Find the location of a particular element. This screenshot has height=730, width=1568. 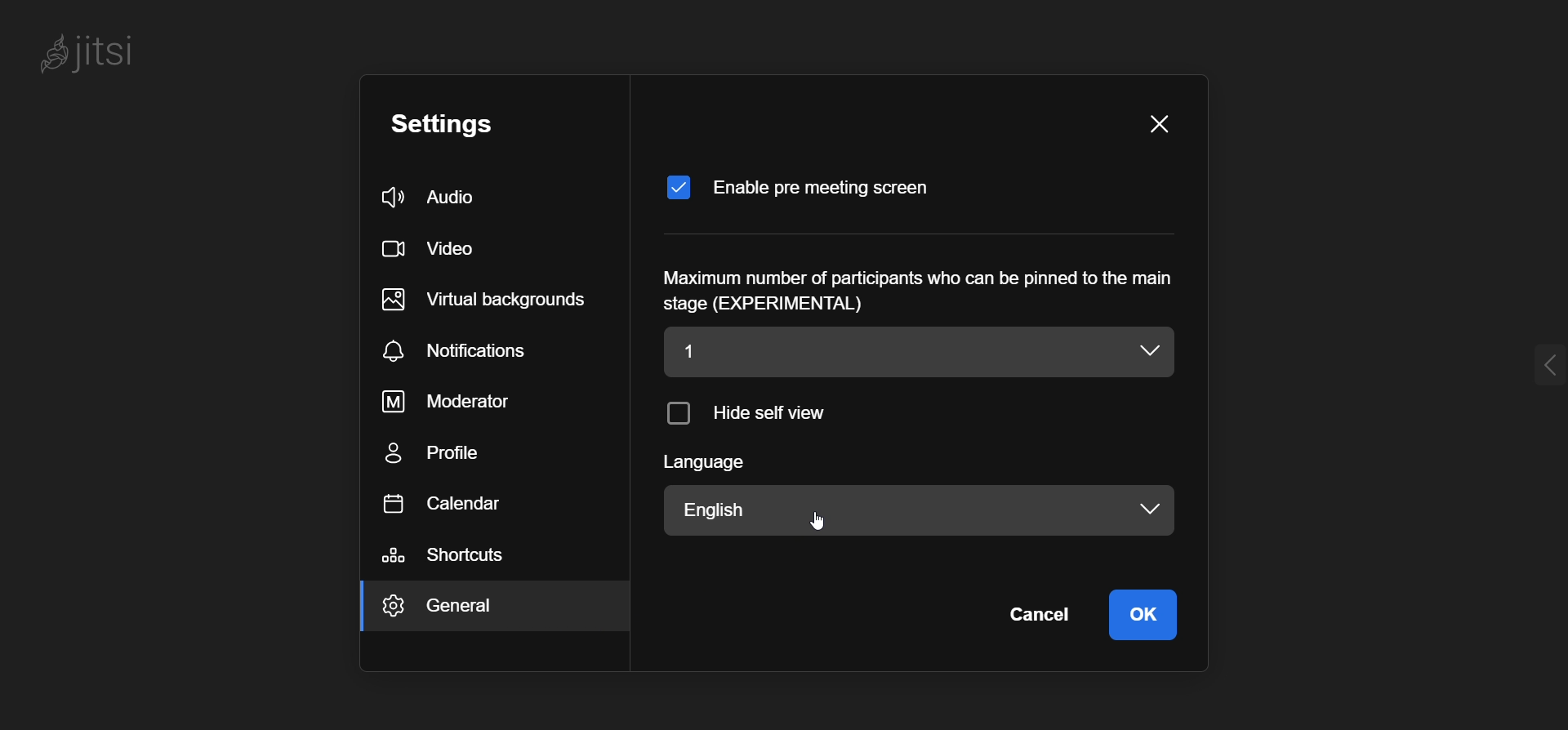

hide self view is located at coordinates (754, 415).